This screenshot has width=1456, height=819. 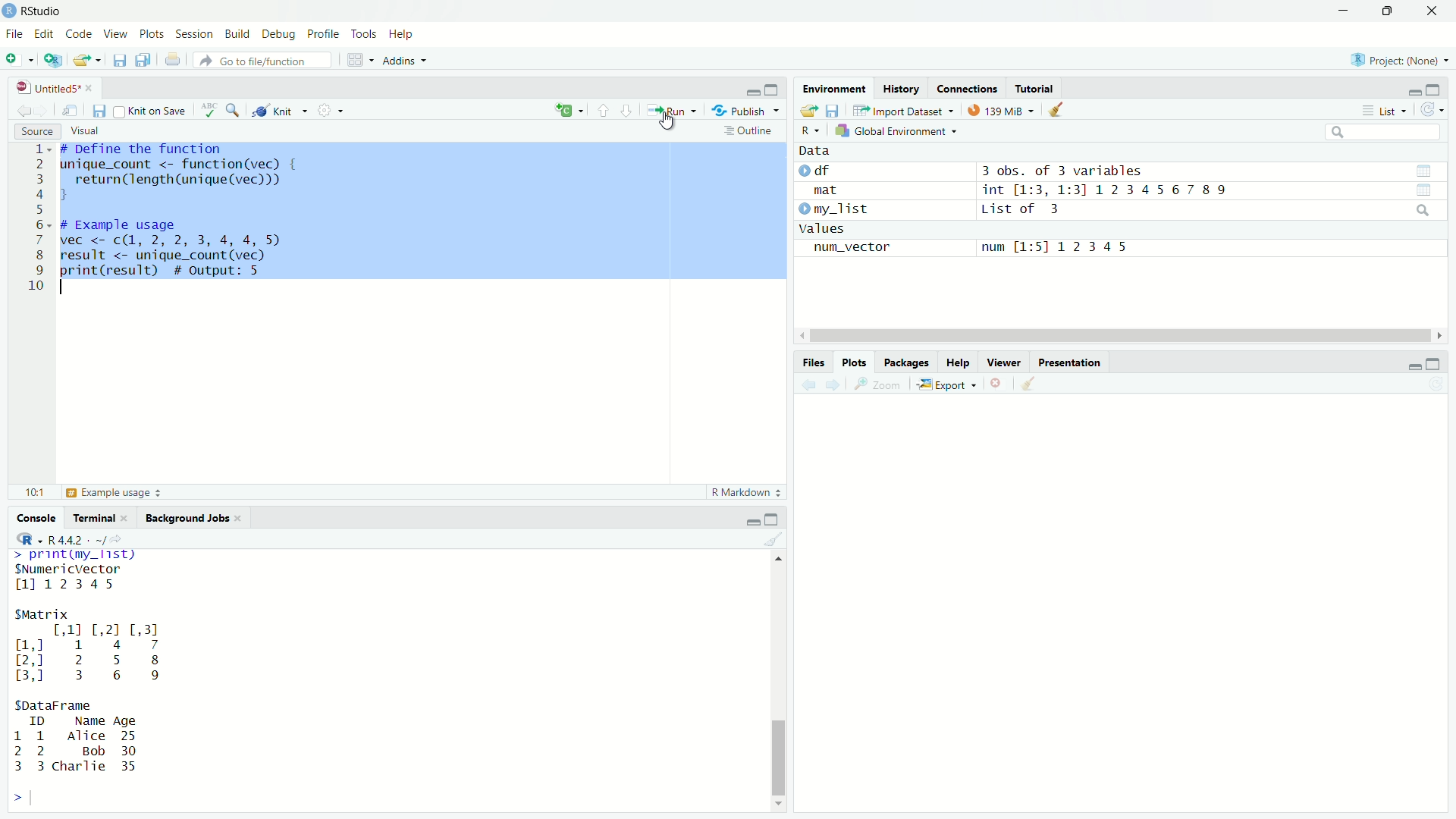 I want to click on maximize, so click(x=772, y=519).